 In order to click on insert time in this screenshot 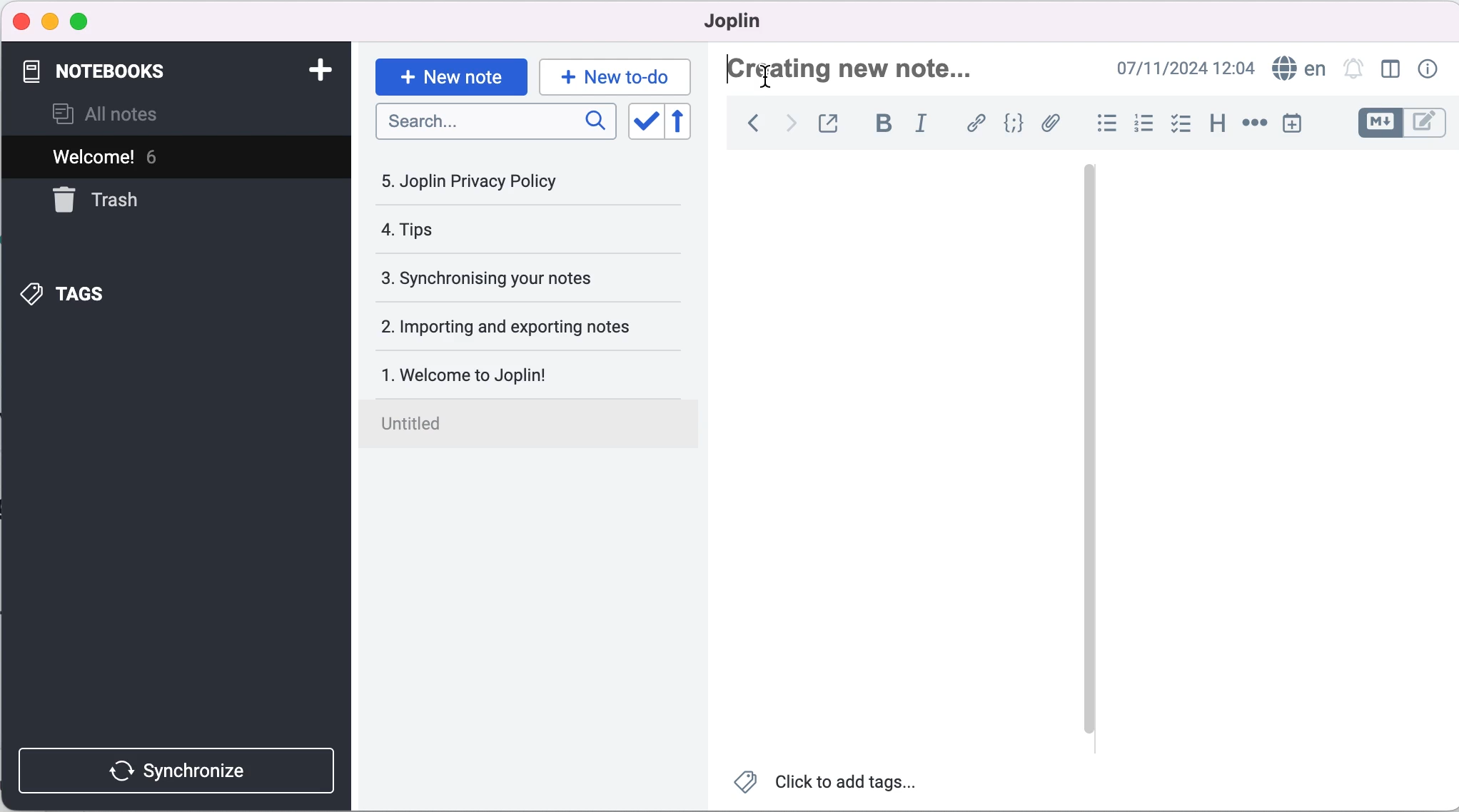, I will do `click(1291, 126)`.